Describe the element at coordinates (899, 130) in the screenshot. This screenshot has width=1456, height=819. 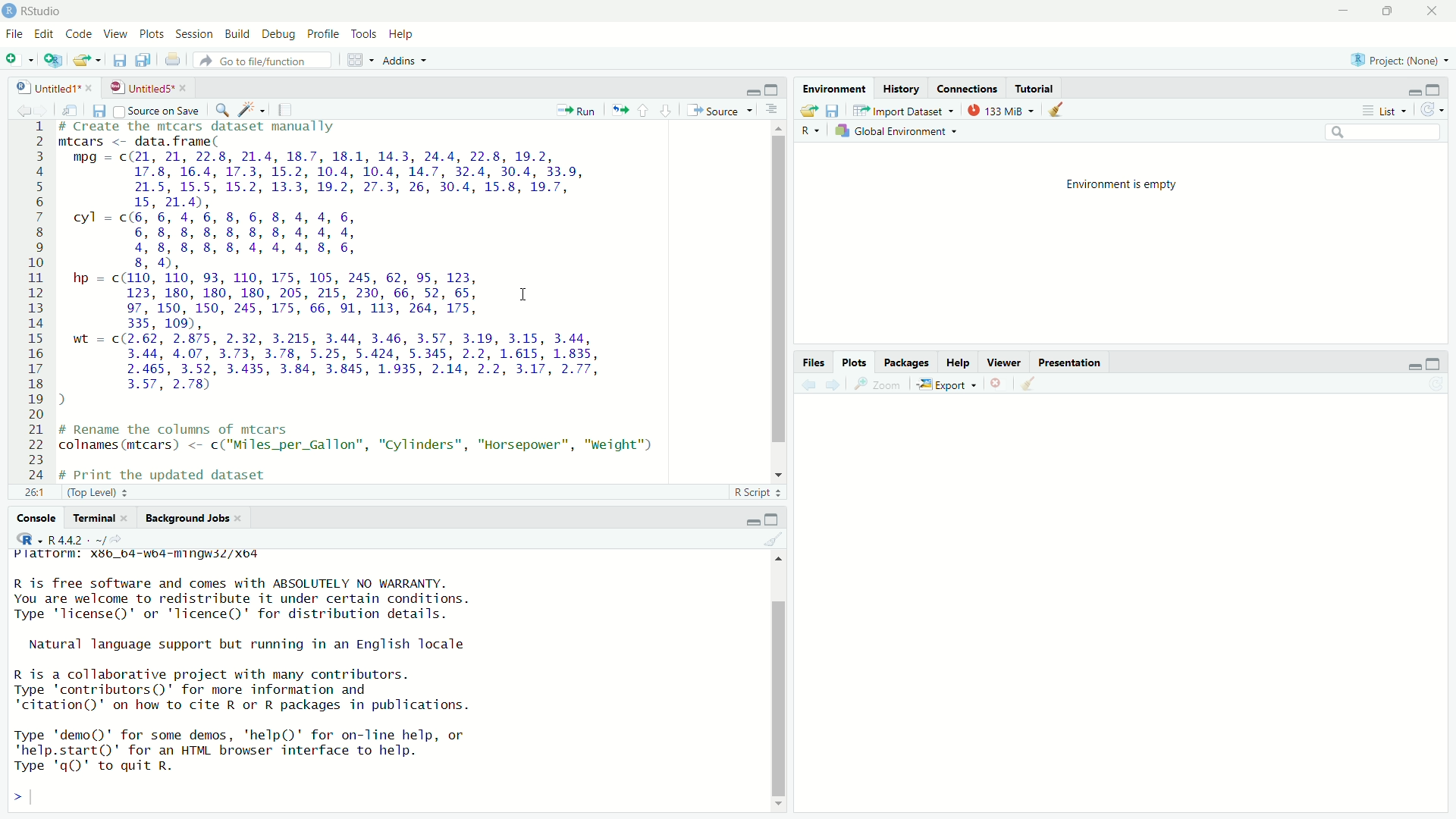
I see `Global Environment «=` at that location.